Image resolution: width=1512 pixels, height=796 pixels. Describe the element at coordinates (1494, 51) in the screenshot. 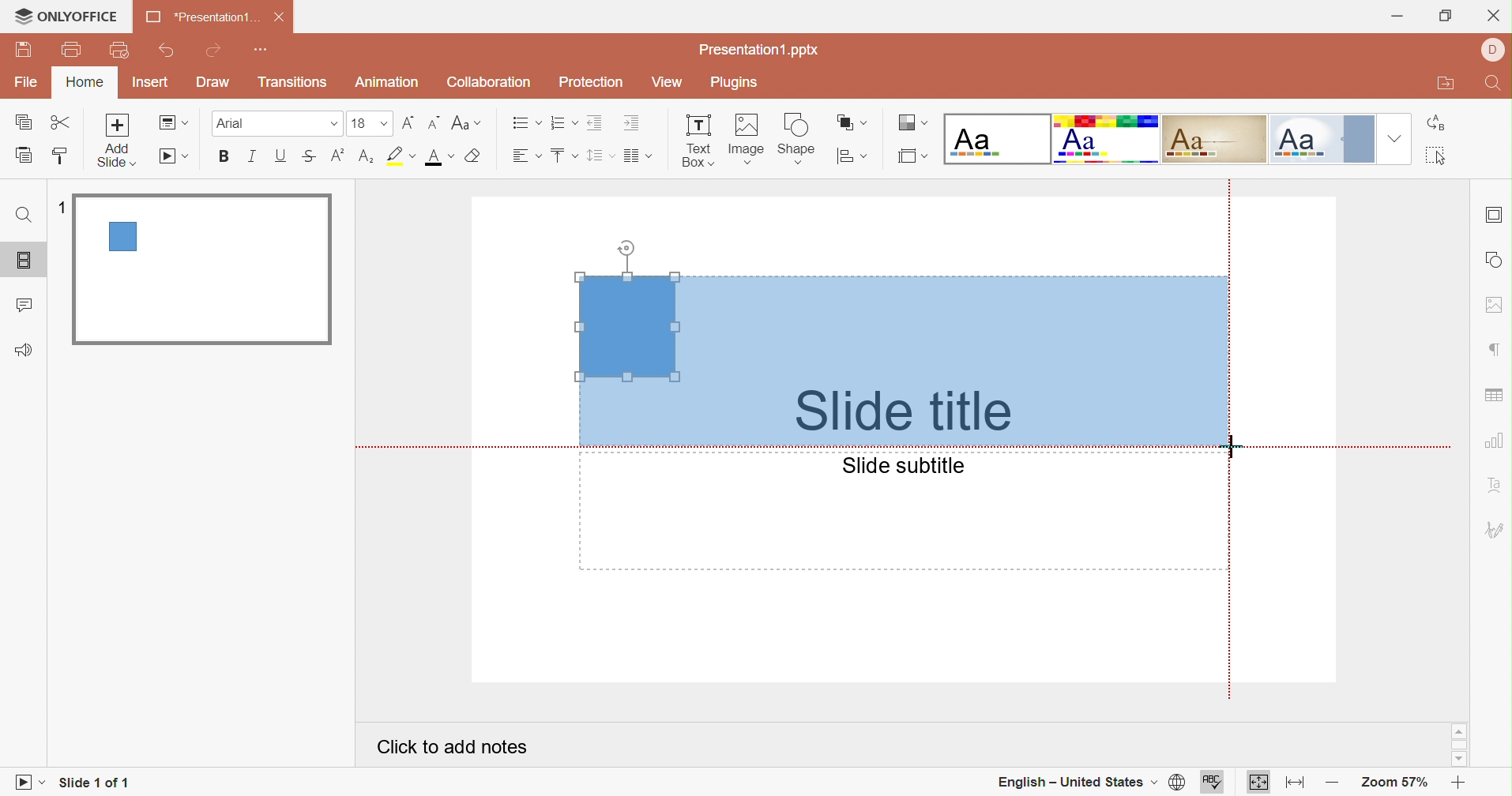

I see `DELL` at that location.